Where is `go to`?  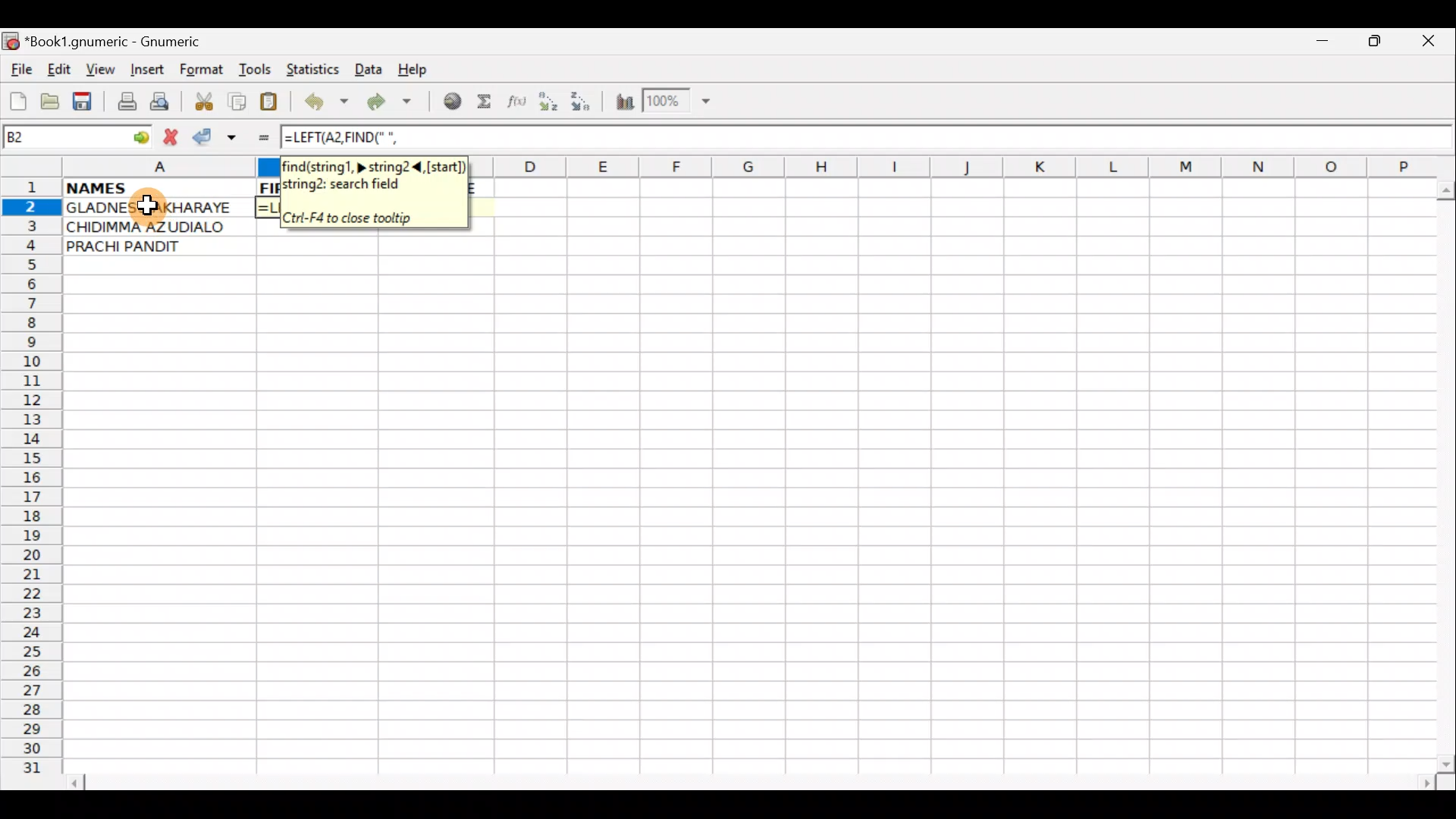
go to is located at coordinates (140, 135).